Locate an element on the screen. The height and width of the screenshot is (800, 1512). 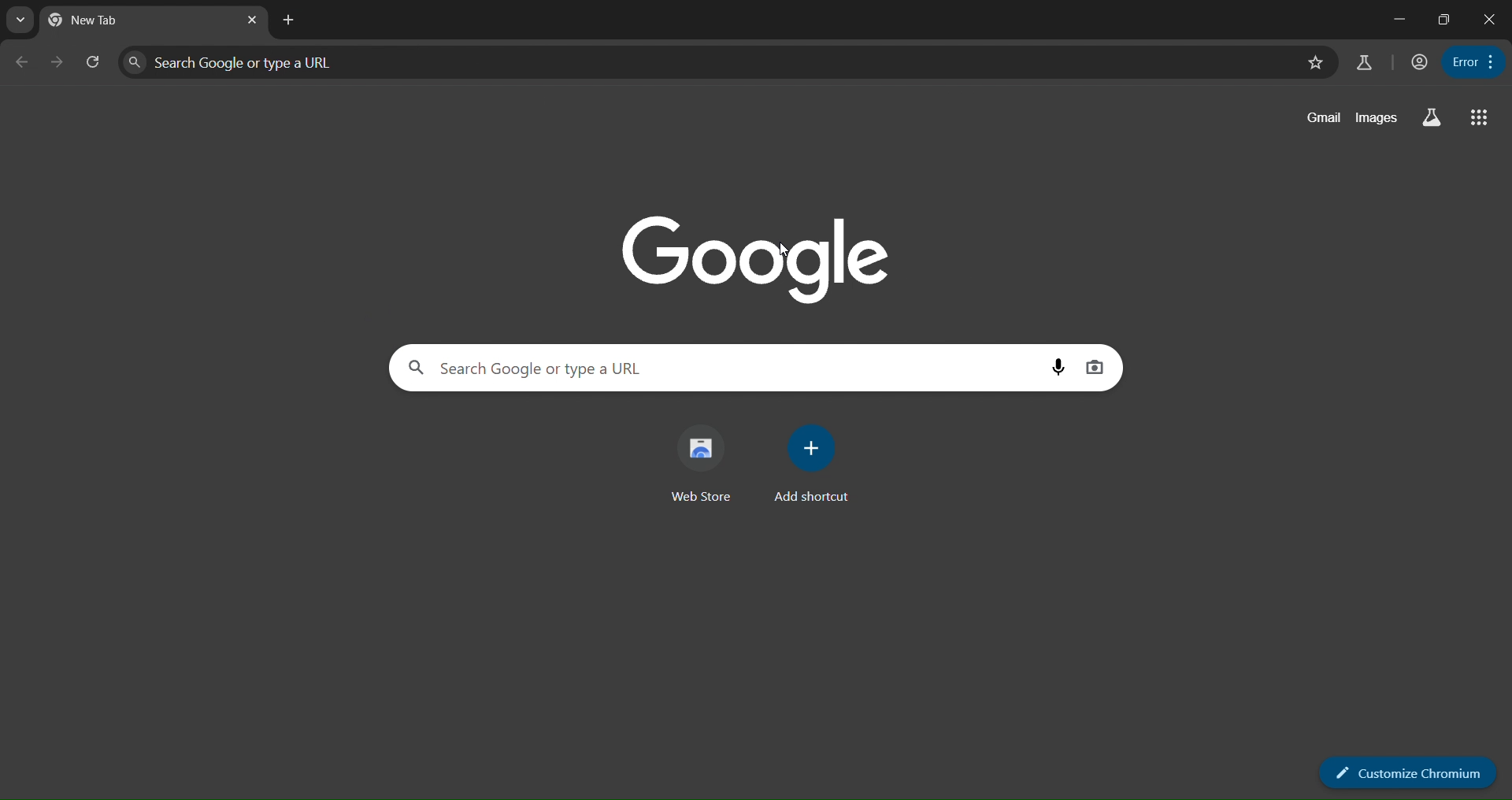
web store is located at coordinates (699, 464).